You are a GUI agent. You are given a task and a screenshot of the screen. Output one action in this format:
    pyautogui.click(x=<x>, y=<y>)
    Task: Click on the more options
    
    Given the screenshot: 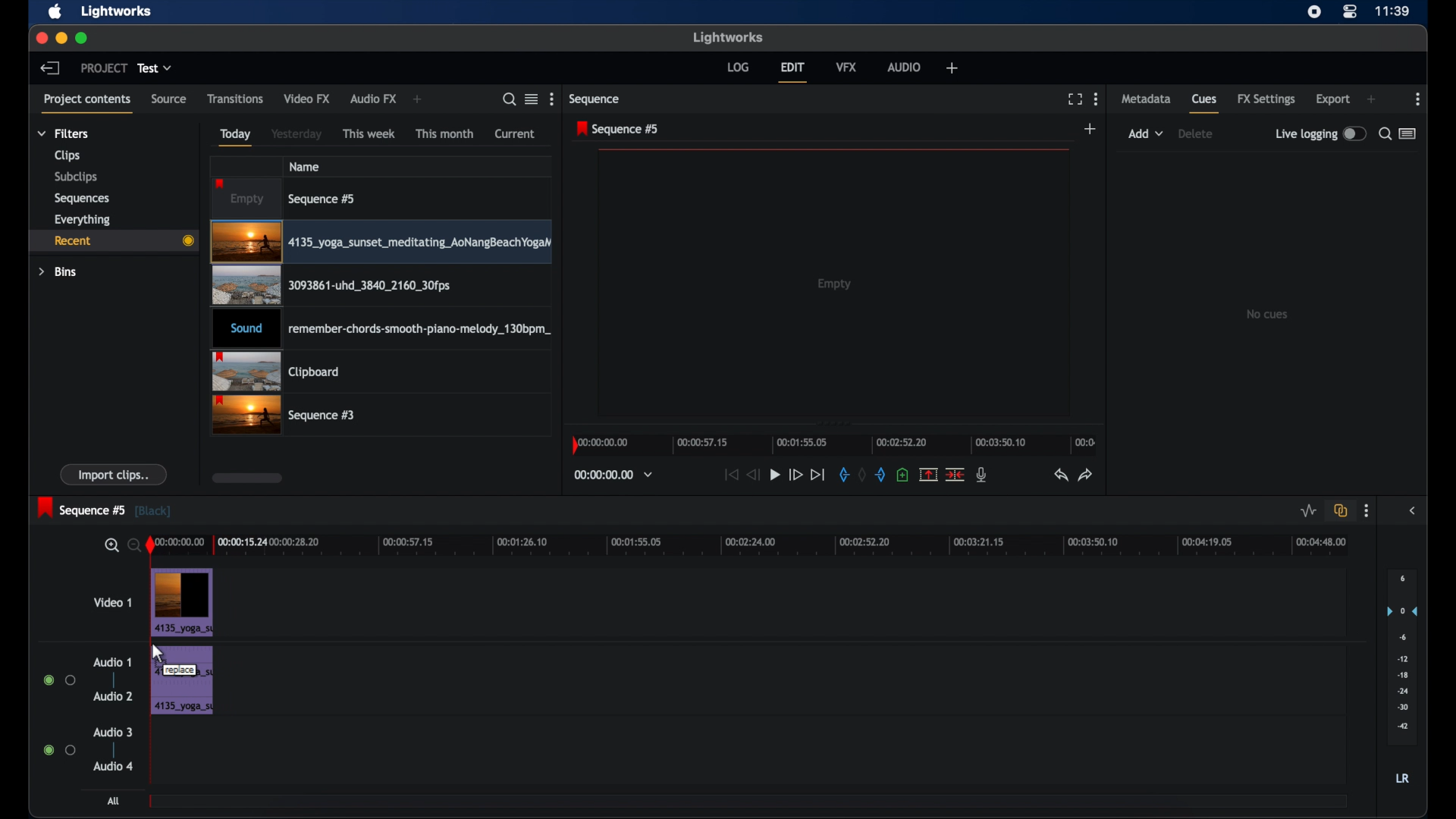 What is the action you would take?
    pyautogui.click(x=551, y=99)
    